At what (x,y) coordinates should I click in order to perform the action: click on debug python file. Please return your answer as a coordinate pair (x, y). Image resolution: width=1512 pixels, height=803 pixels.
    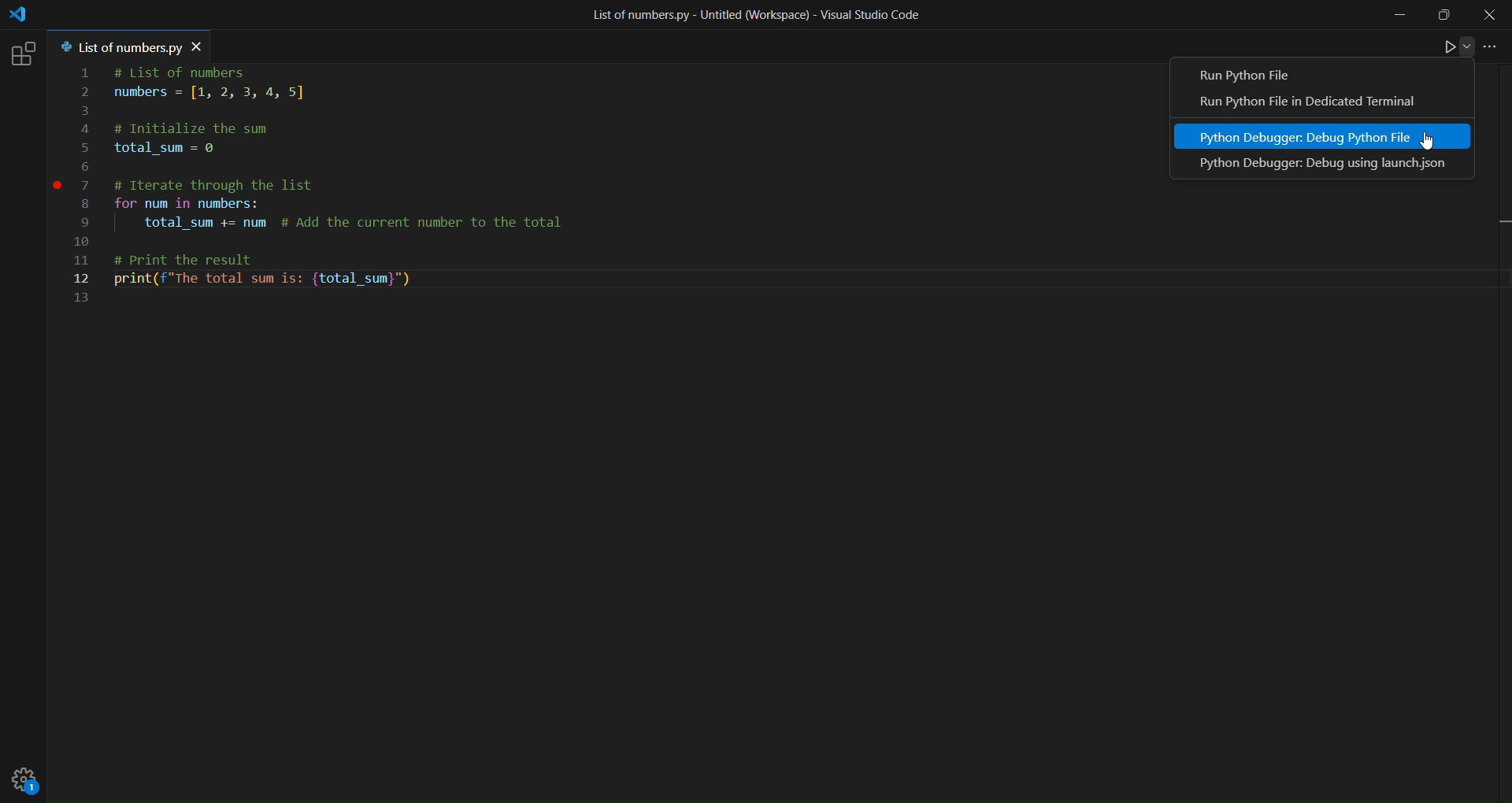
    Looking at the image, I should click on (1309, 138).